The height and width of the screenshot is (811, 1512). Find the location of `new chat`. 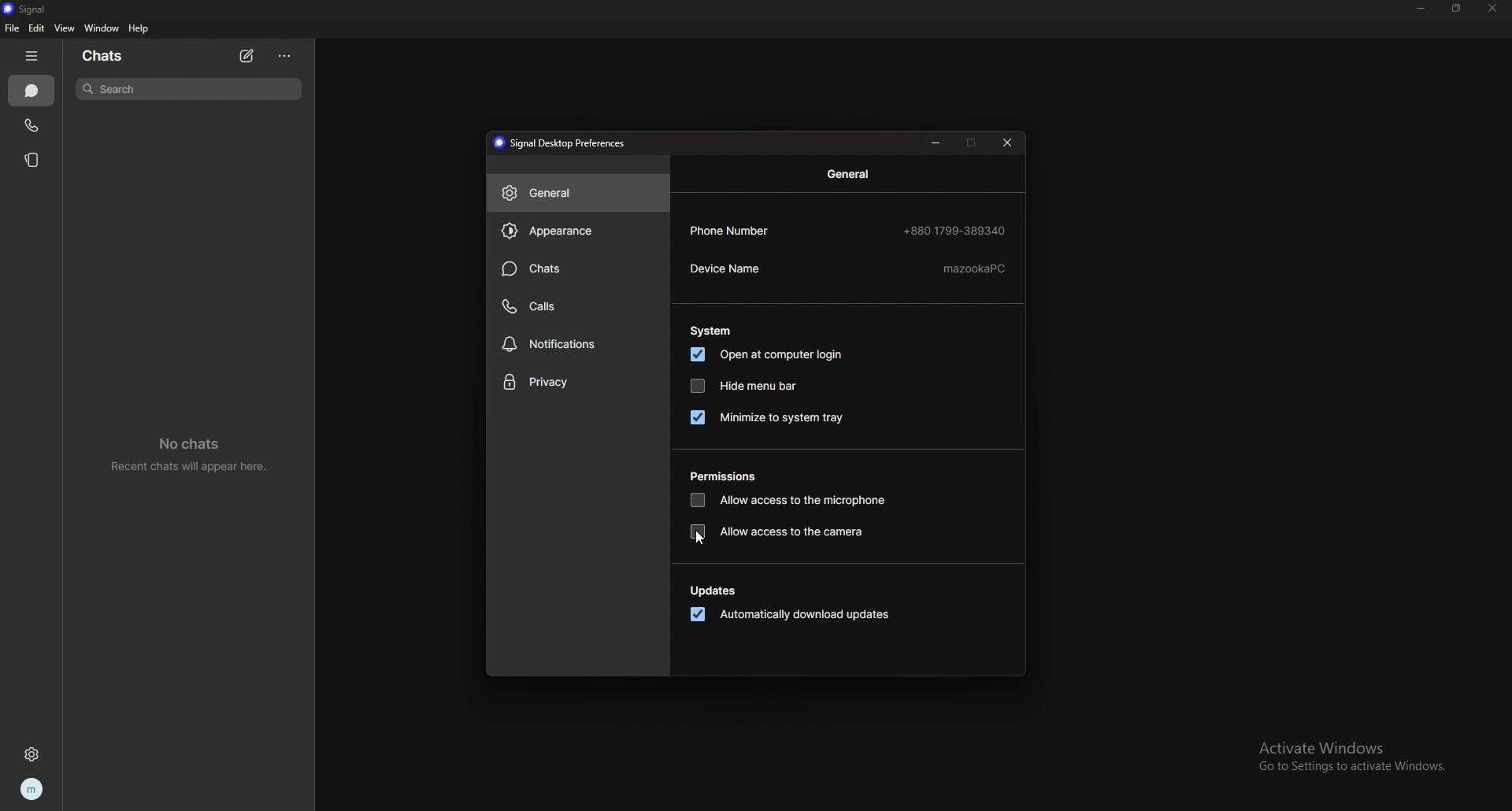

new chat is located at coordinates (249, 56).